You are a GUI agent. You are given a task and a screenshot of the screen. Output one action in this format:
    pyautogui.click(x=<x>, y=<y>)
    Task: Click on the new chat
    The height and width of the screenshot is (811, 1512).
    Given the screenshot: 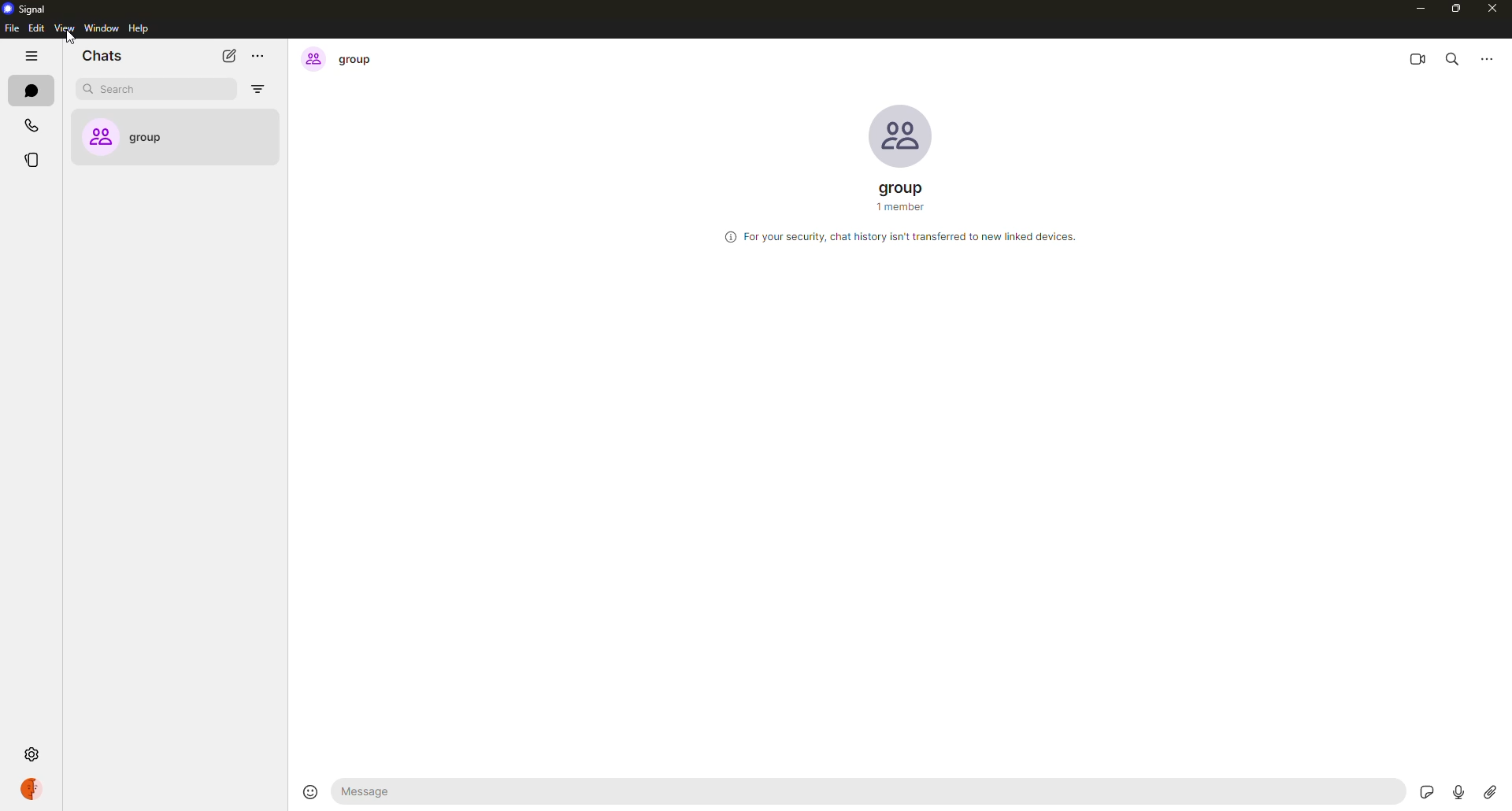 What is the action you would take?
    pyautogui.click(x=229, y=55)
    